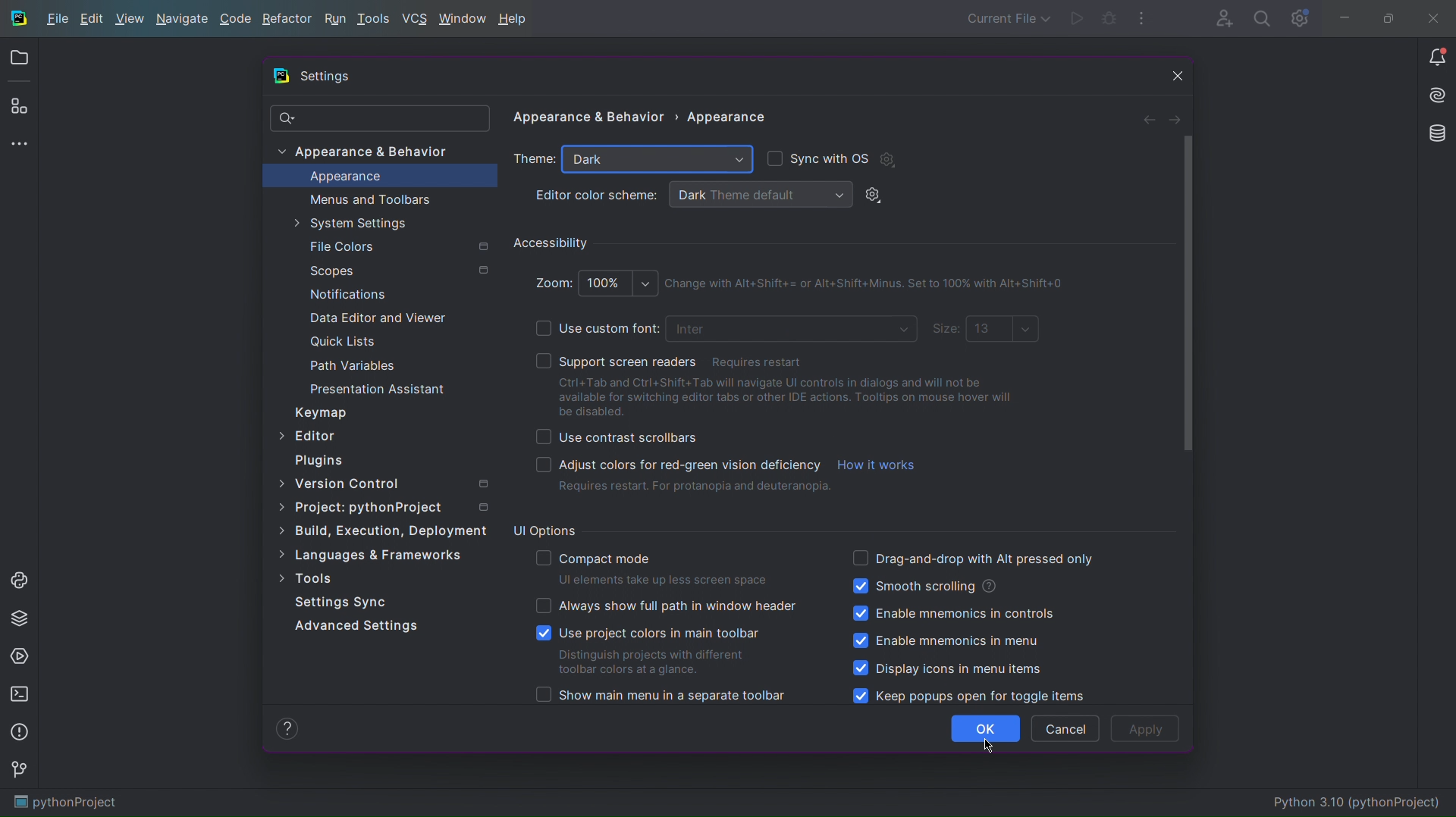  I want to click on pythonProject, so click(67, 803).